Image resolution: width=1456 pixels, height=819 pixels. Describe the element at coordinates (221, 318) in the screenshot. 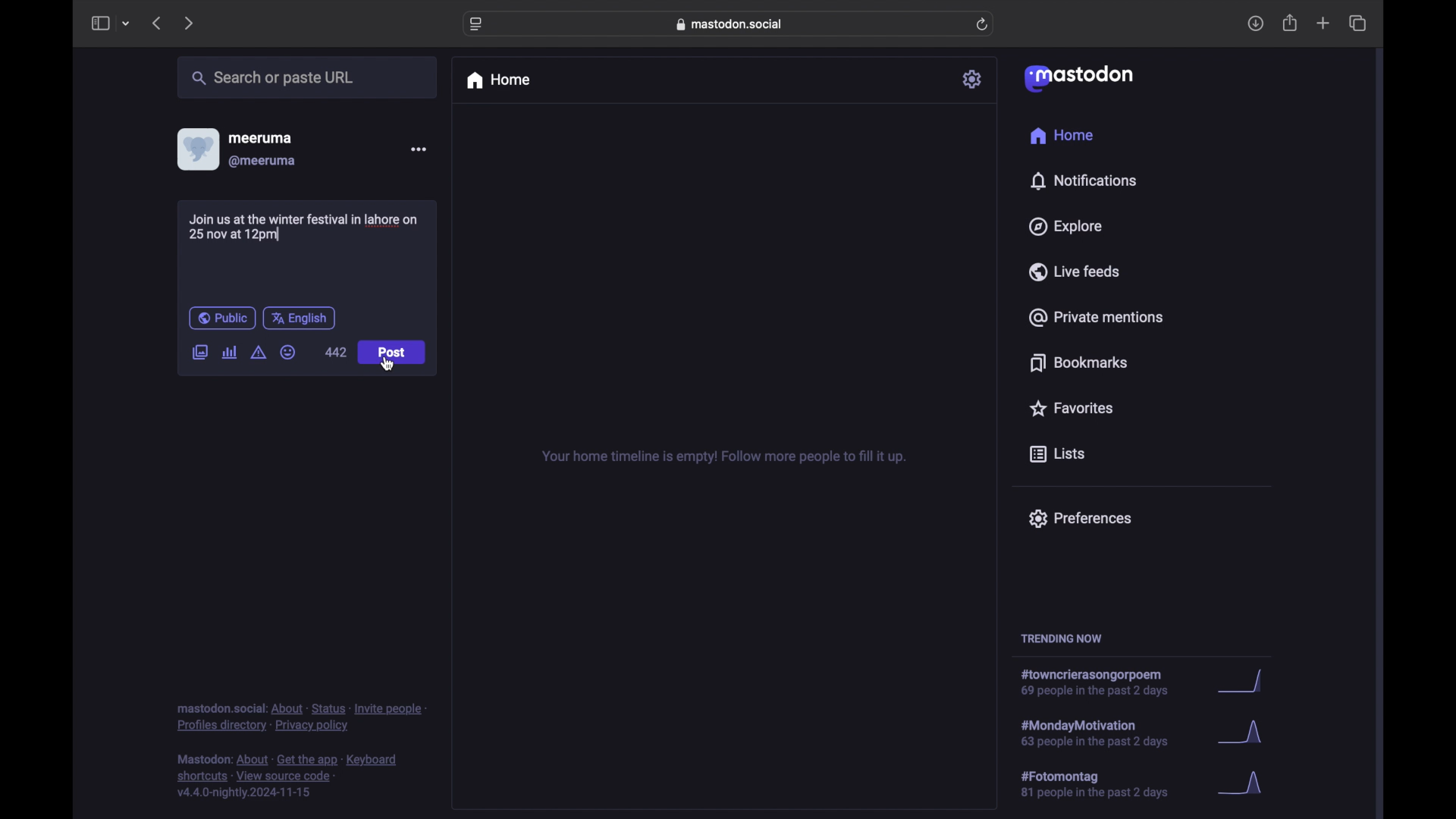

I see `public` at that location.